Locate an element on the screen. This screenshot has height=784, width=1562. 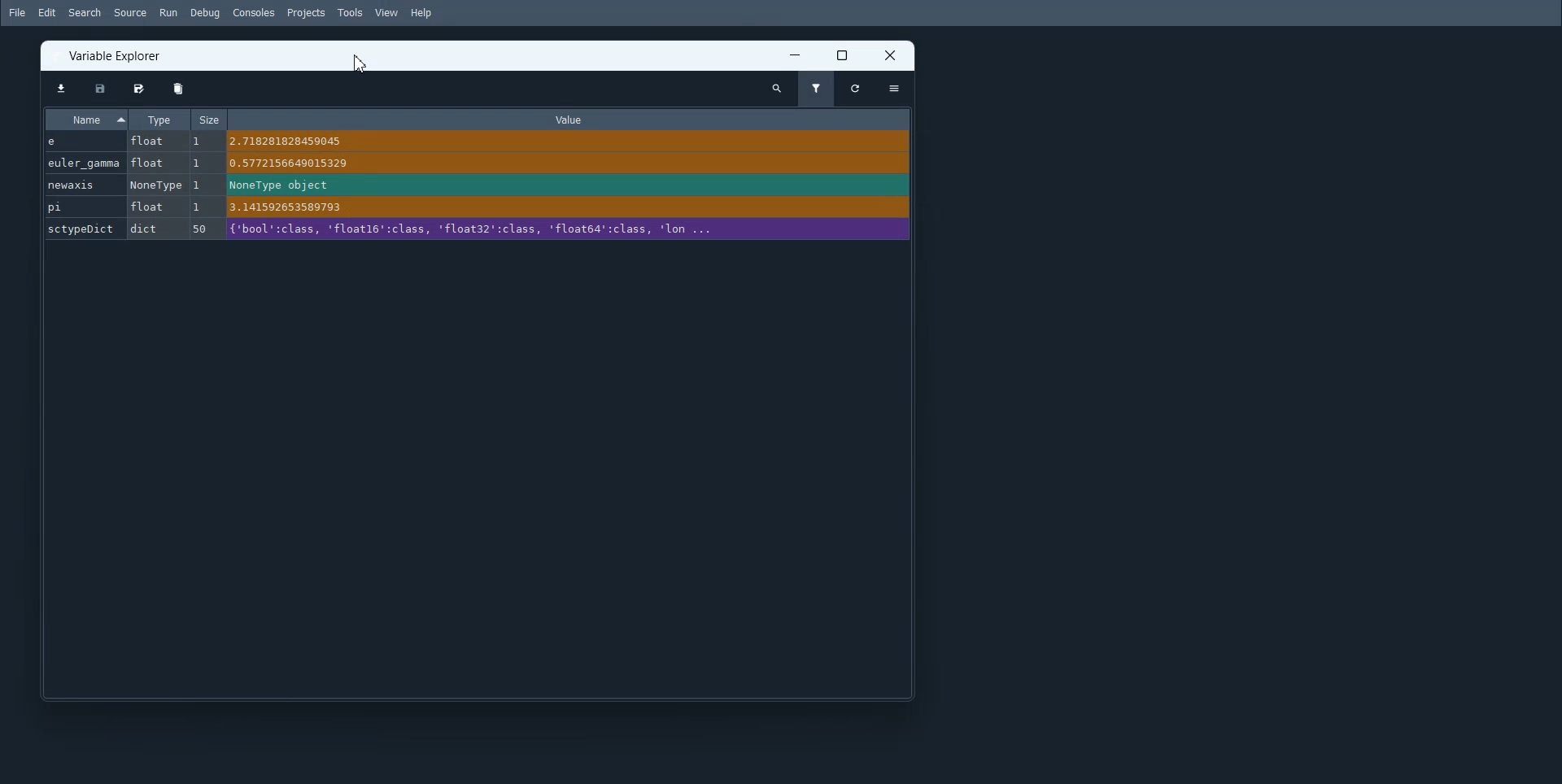
pi is located at coordinates (82, 207).